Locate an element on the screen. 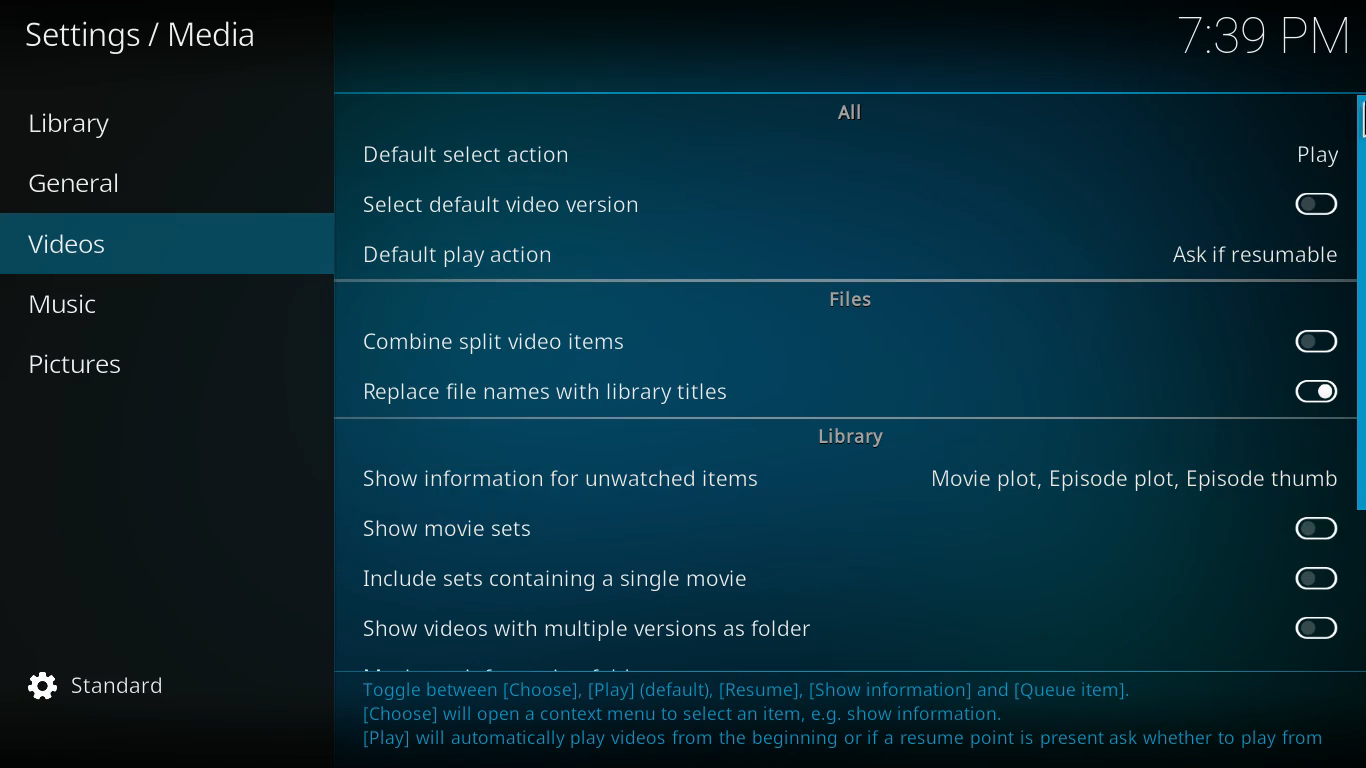 The height and width of the screenshot is (768, 1366). information is located at coordinates (1134, 481).